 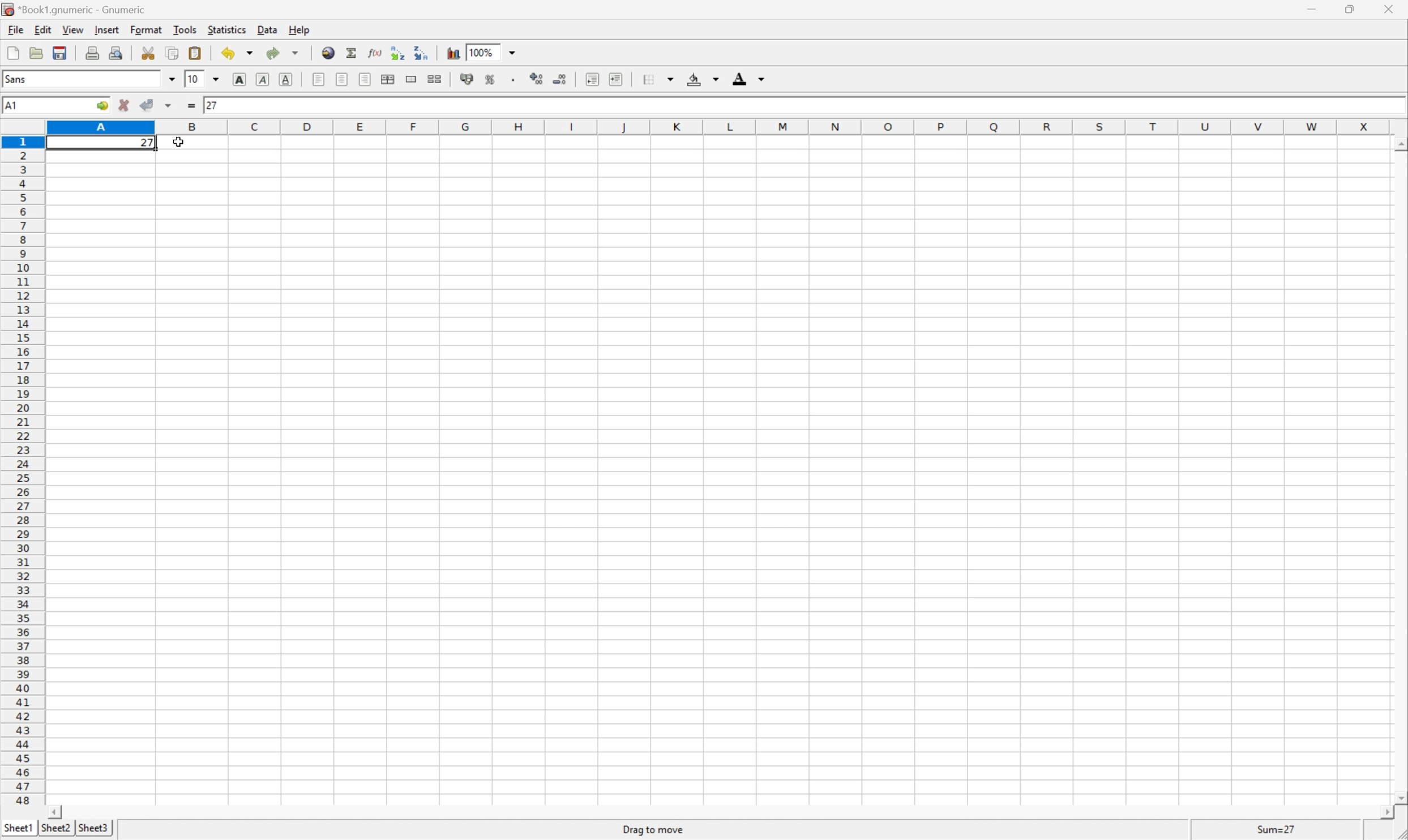 I want to click on Decrease indent, and align the contents to the left, so click(x=592, y=79).